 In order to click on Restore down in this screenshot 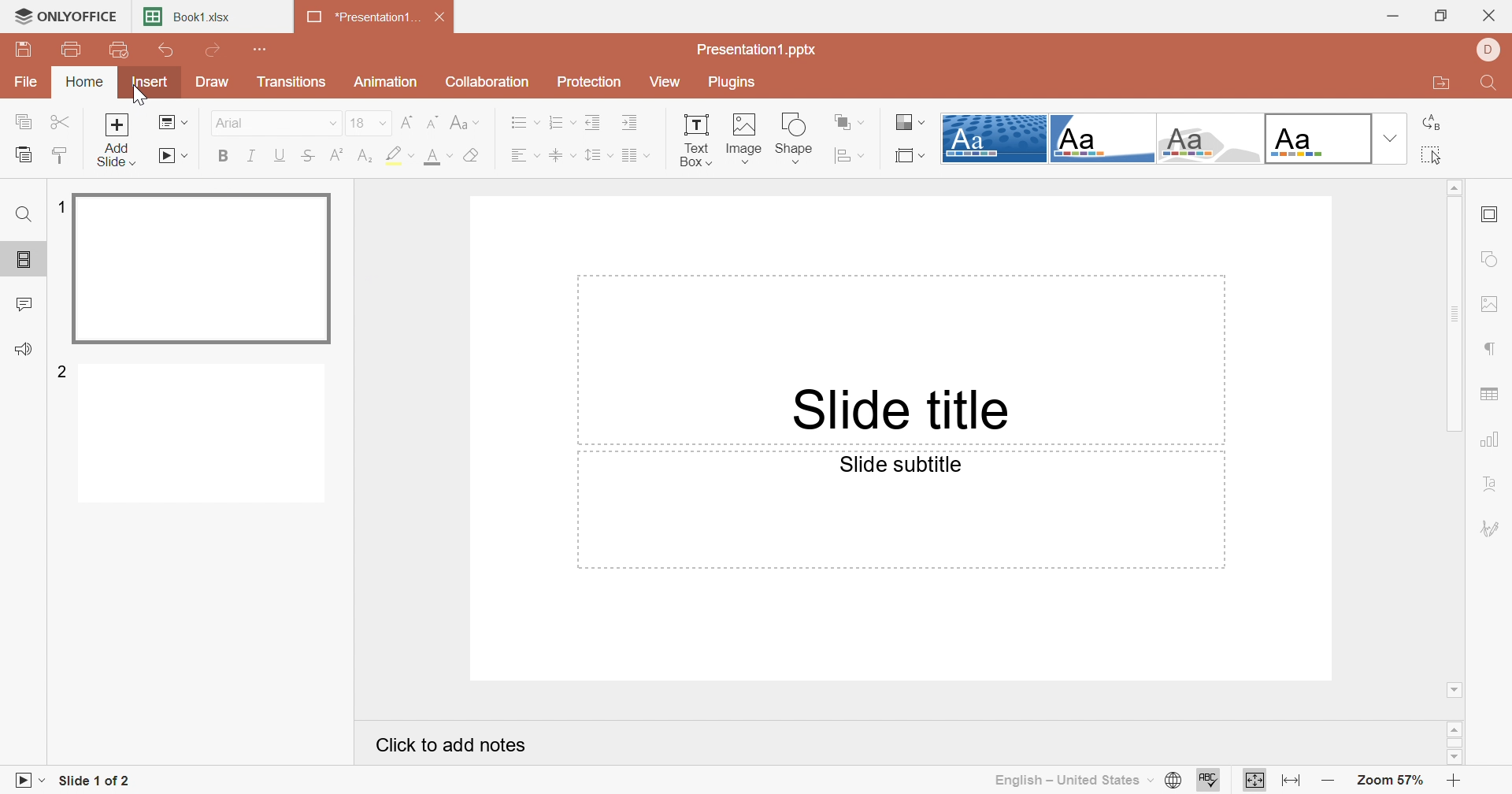, I will do `click(1443, 15)`.